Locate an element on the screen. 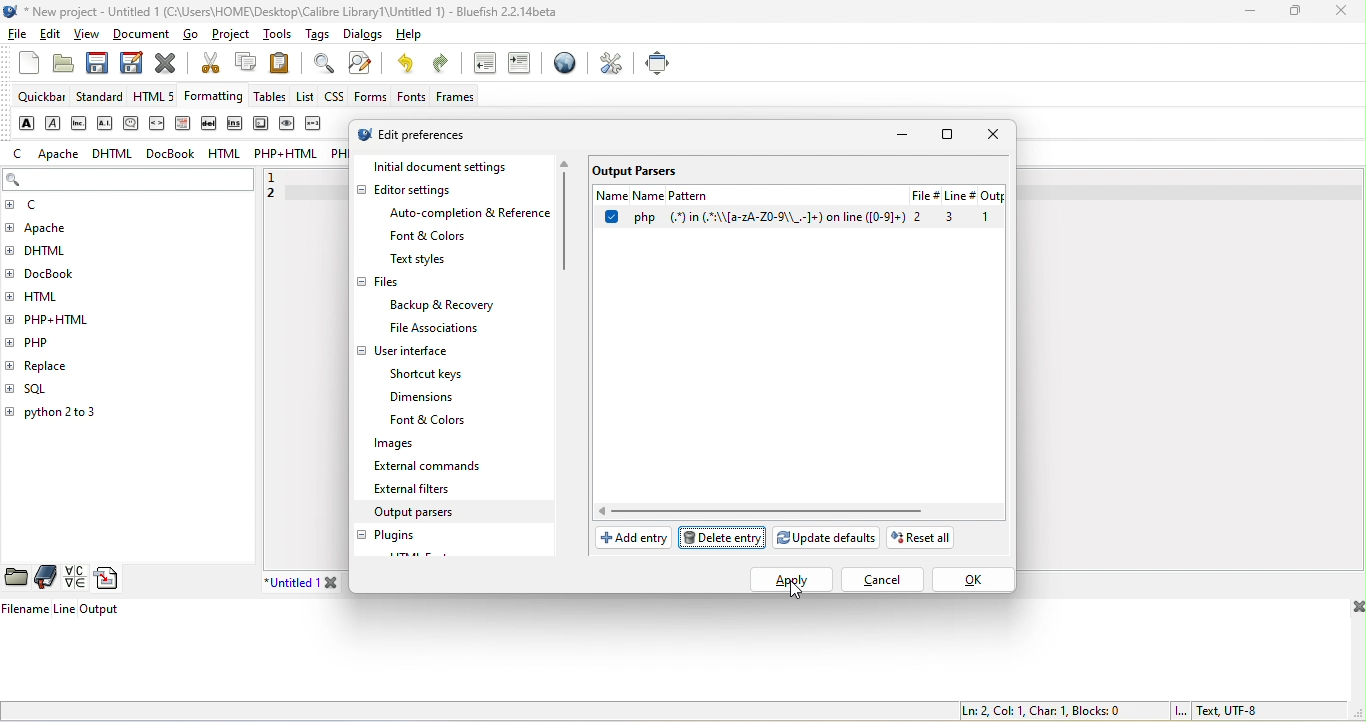 The height and width of the screenshot is (722, 1366). horizontal scroll bar is located at coordinates (764, 511).